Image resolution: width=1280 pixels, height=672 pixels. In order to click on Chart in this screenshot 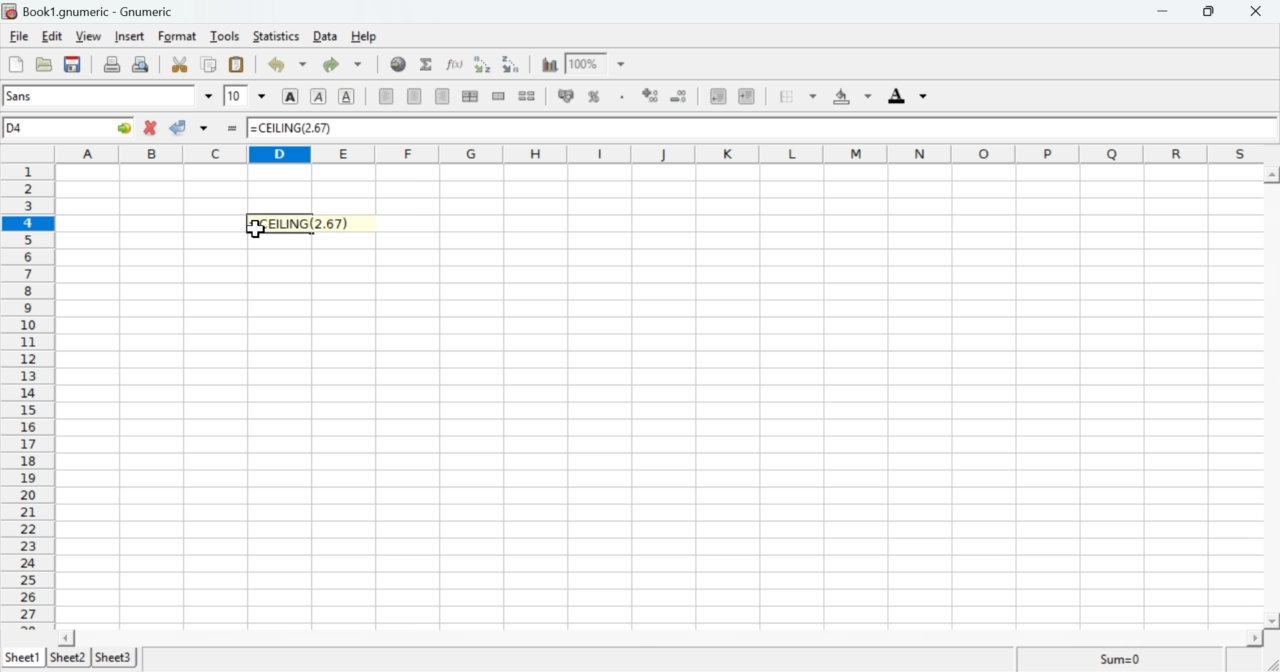, I will do `click(551, 65)`.